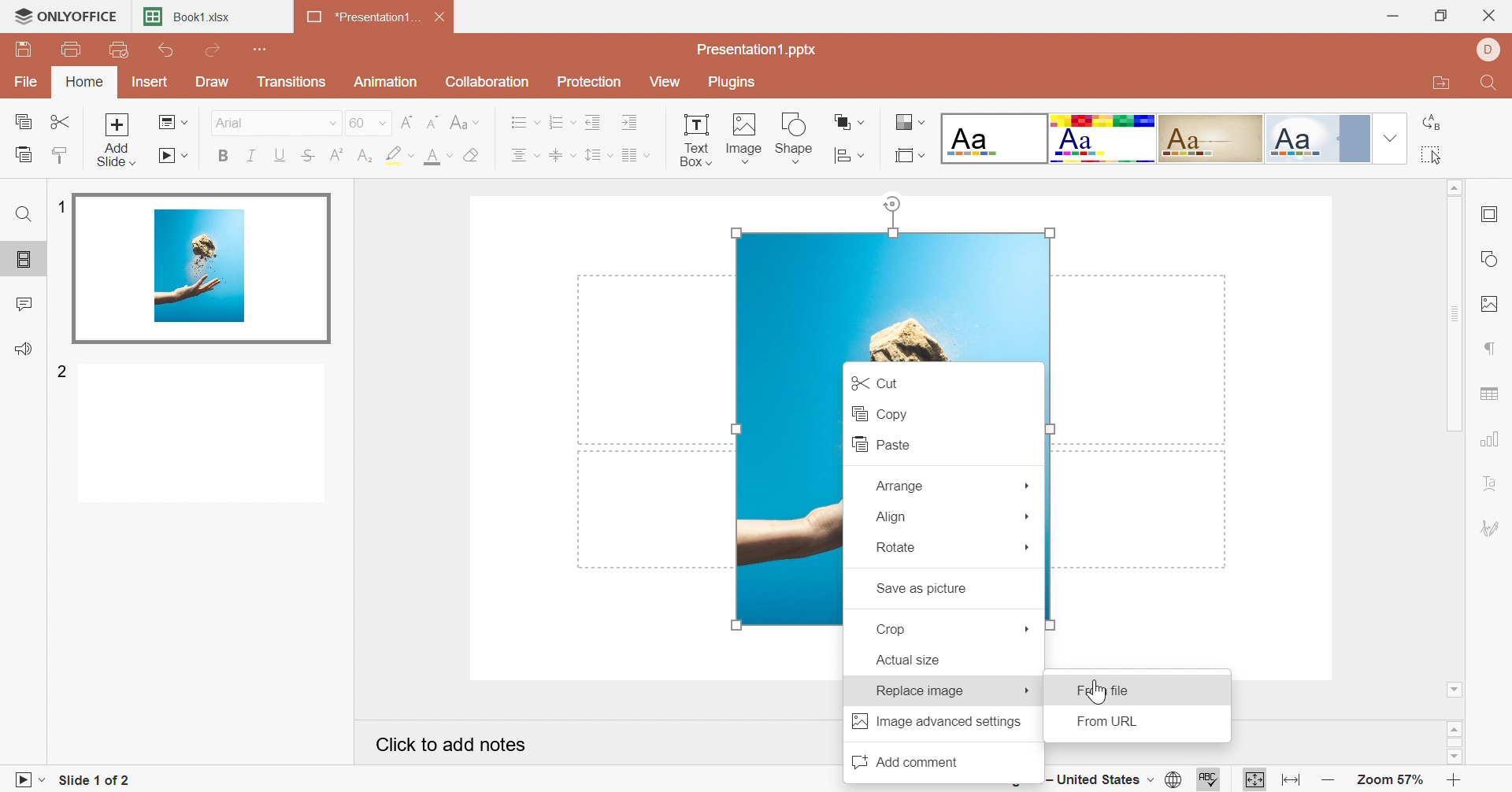 The width and height of the screenshot is (1512, 792). I want to click on Increment font size, so click(406, 120).